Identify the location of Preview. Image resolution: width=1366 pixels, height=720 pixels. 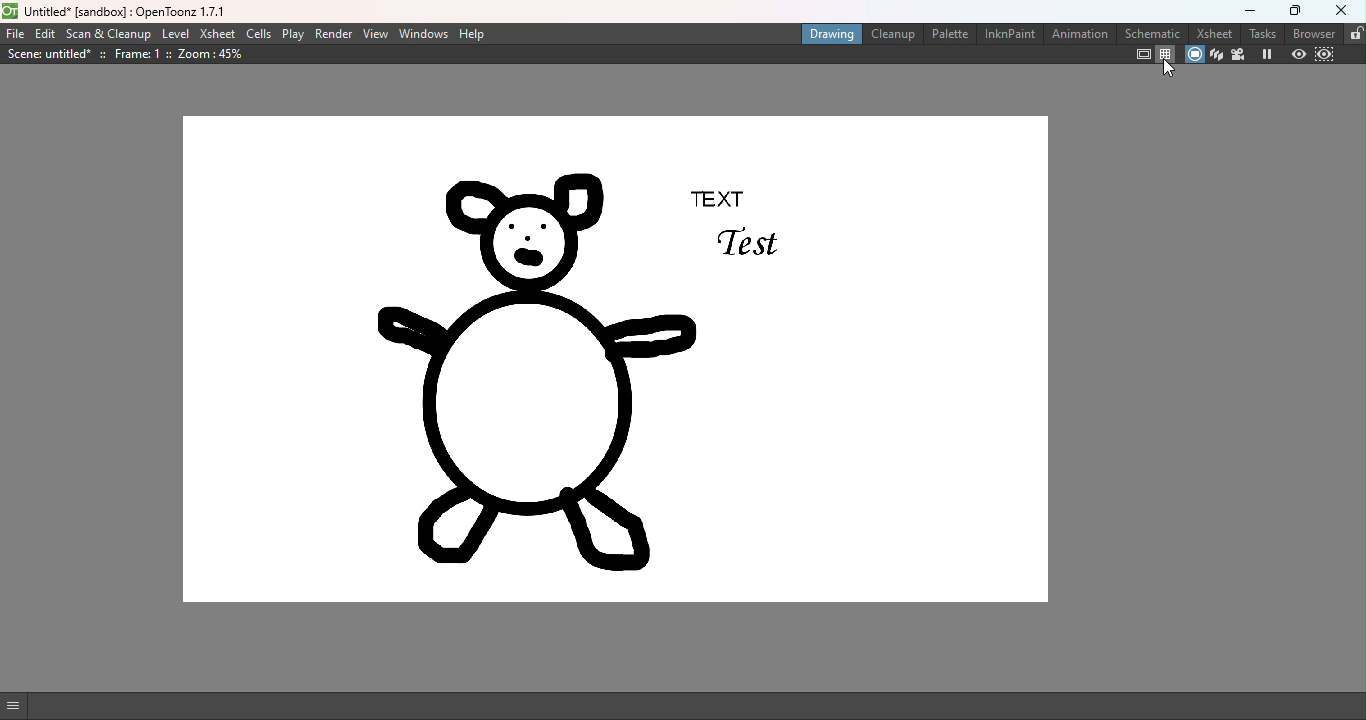
(1295, 55).